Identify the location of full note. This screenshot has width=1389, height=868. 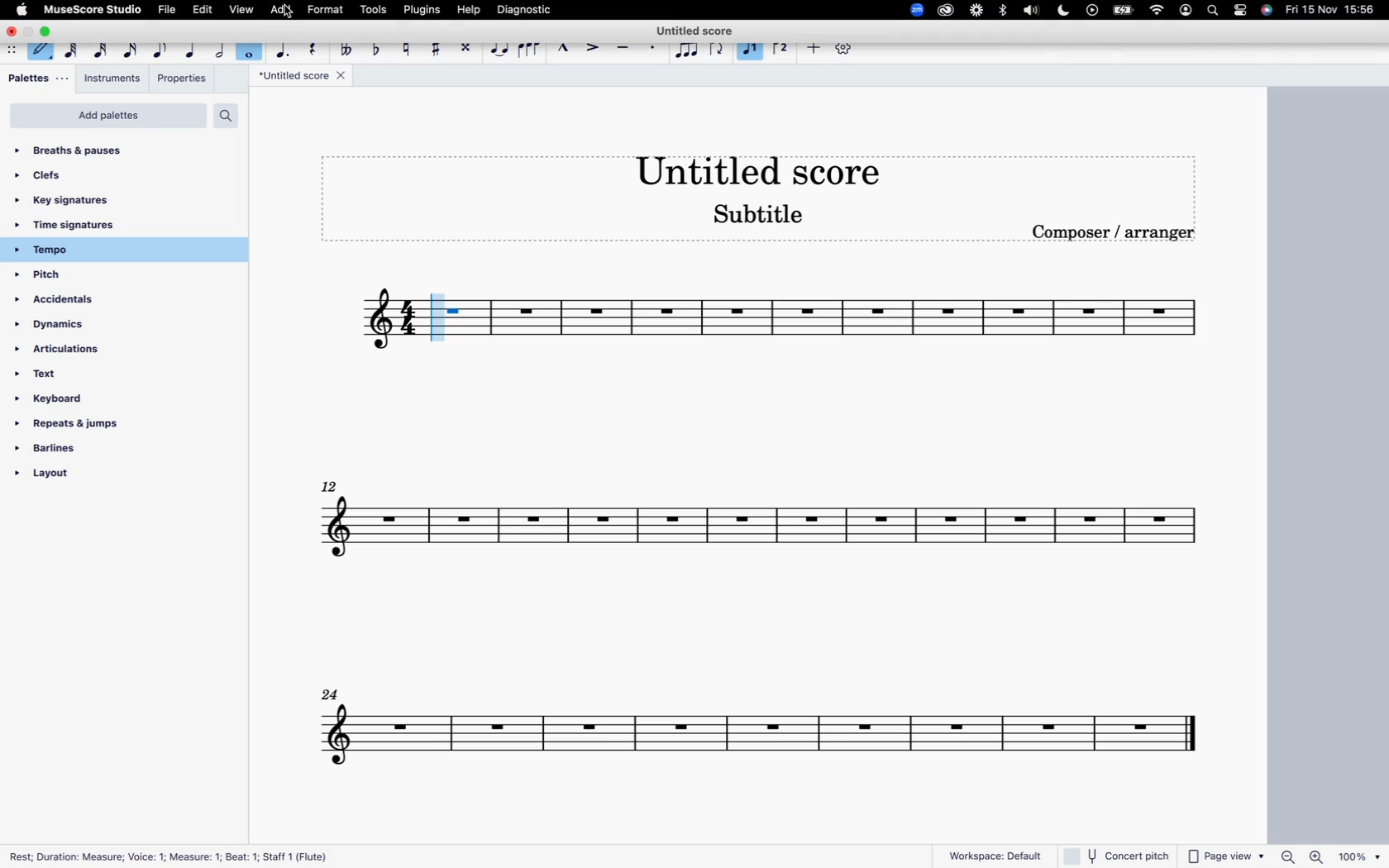
(250, 48).